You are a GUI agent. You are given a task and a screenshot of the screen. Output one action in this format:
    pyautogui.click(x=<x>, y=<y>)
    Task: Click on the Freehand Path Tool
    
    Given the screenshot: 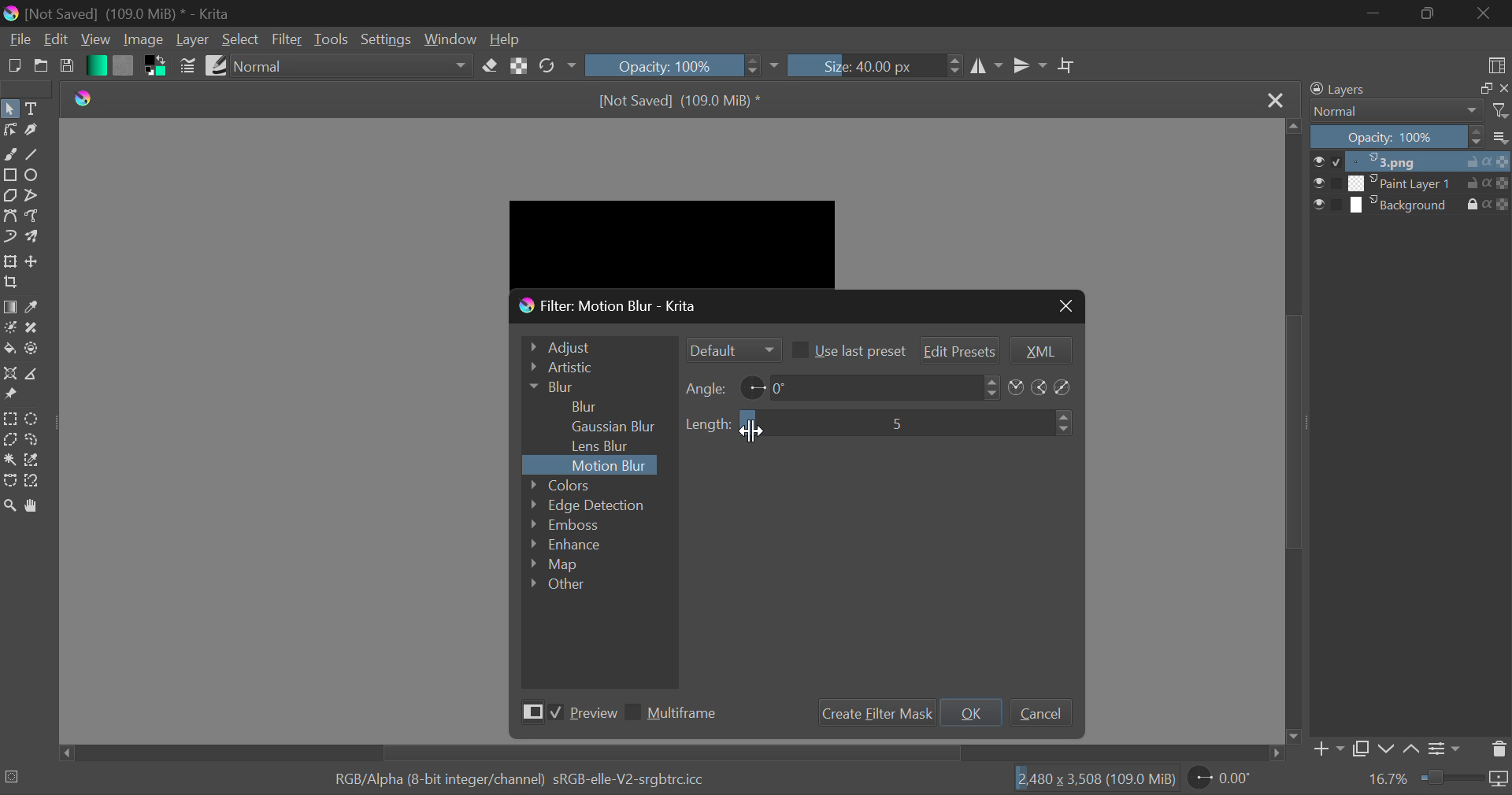 What is the action you would take?
    pyautogui.click(x=33, y=215)
    